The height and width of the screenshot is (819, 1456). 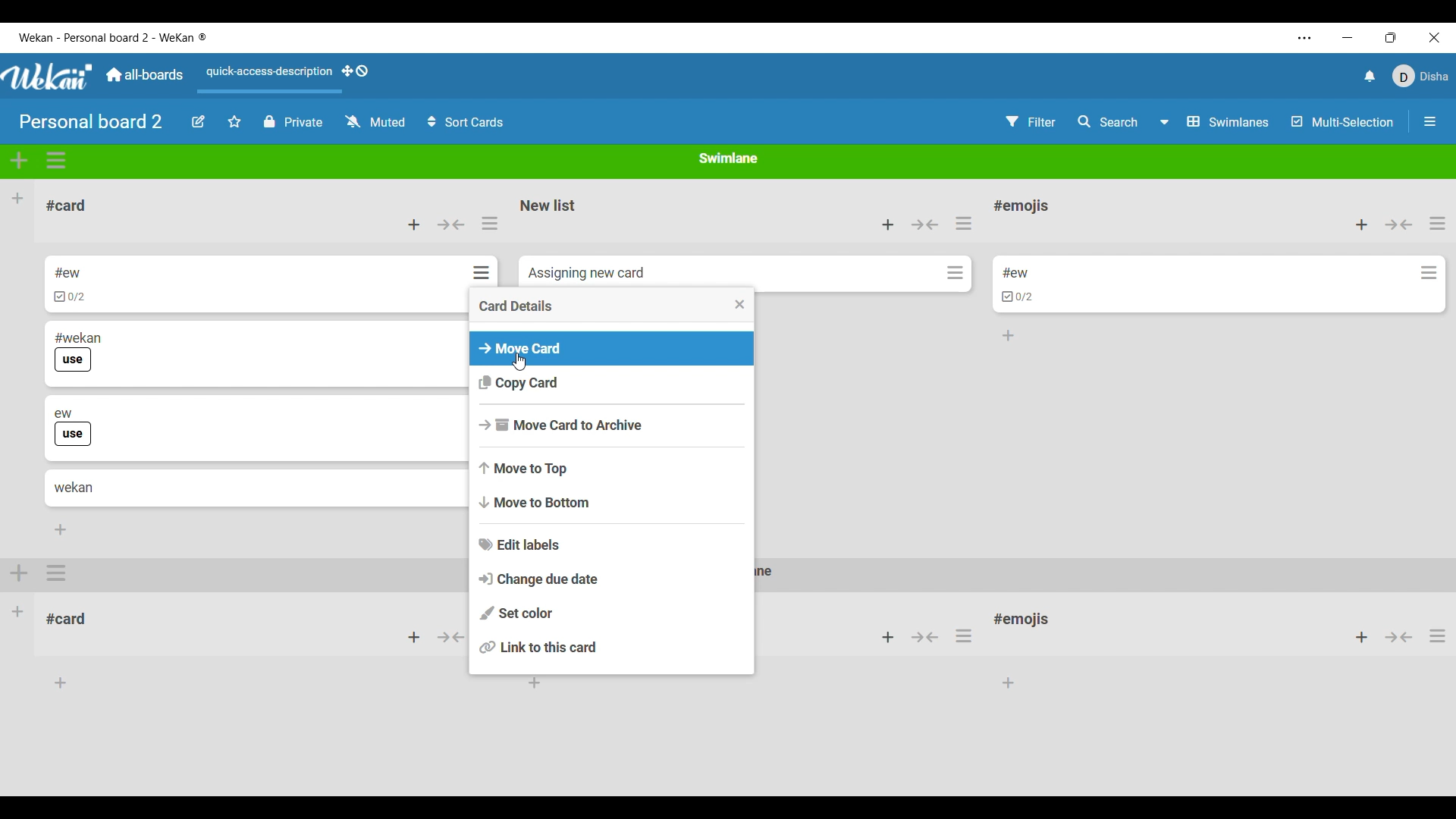 What do you see at coordinates (465, 122) in the screenshot?
I see `Sort cards` at bounding box center [465, 122].